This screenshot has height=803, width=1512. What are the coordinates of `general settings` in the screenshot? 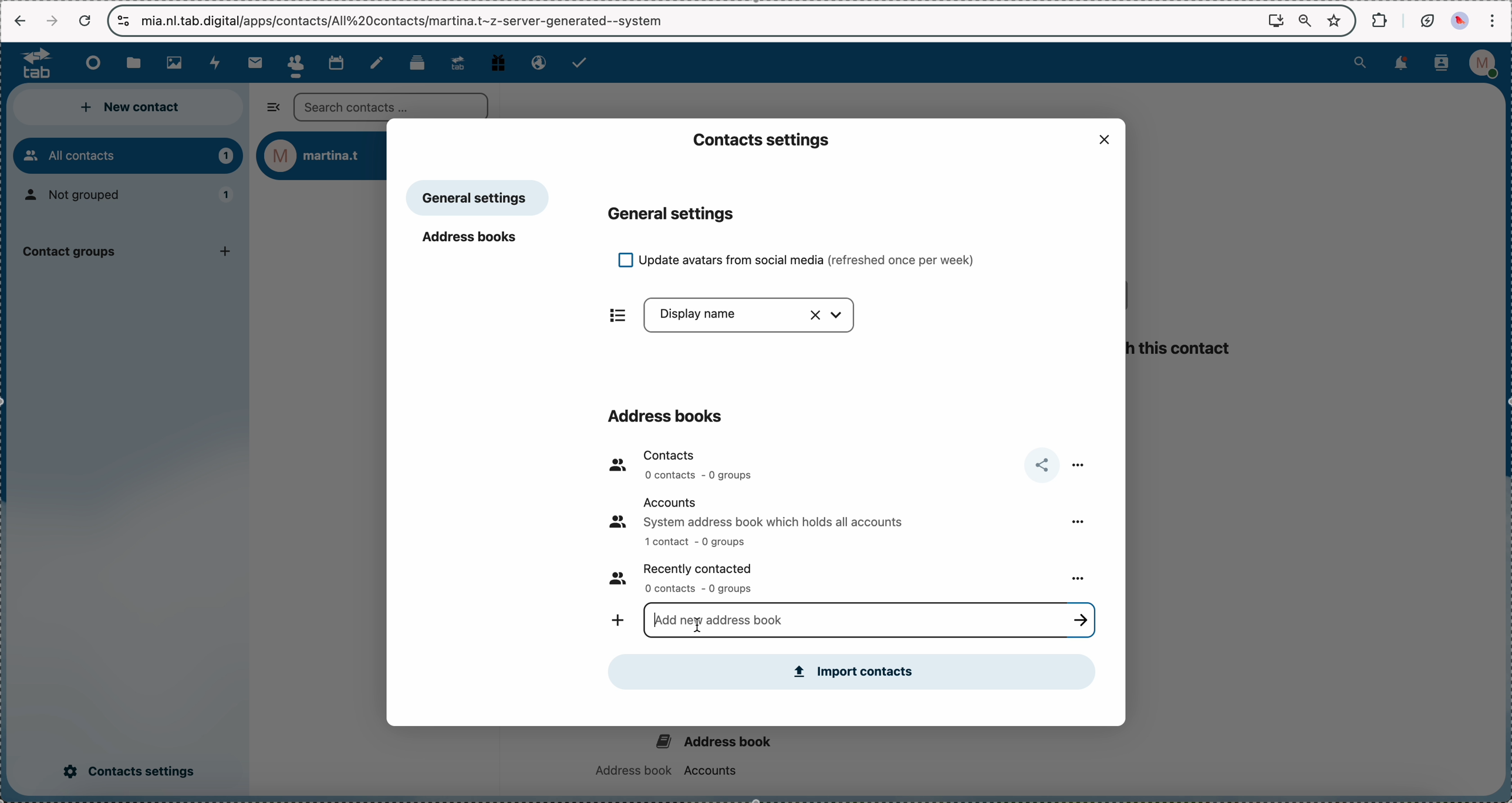 It's located at (673, 213).